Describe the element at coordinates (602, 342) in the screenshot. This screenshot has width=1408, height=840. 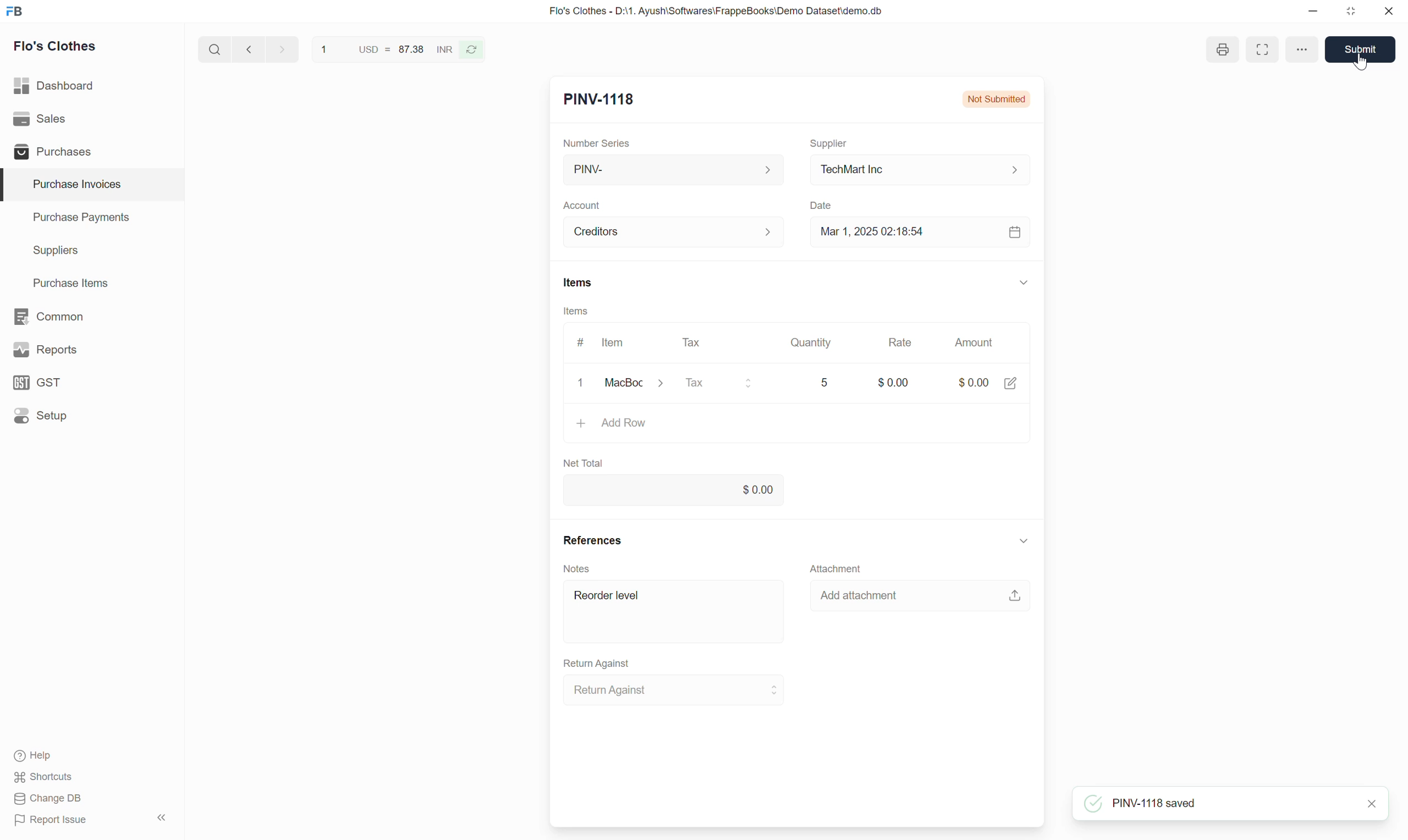
I see `# Item` at that location.